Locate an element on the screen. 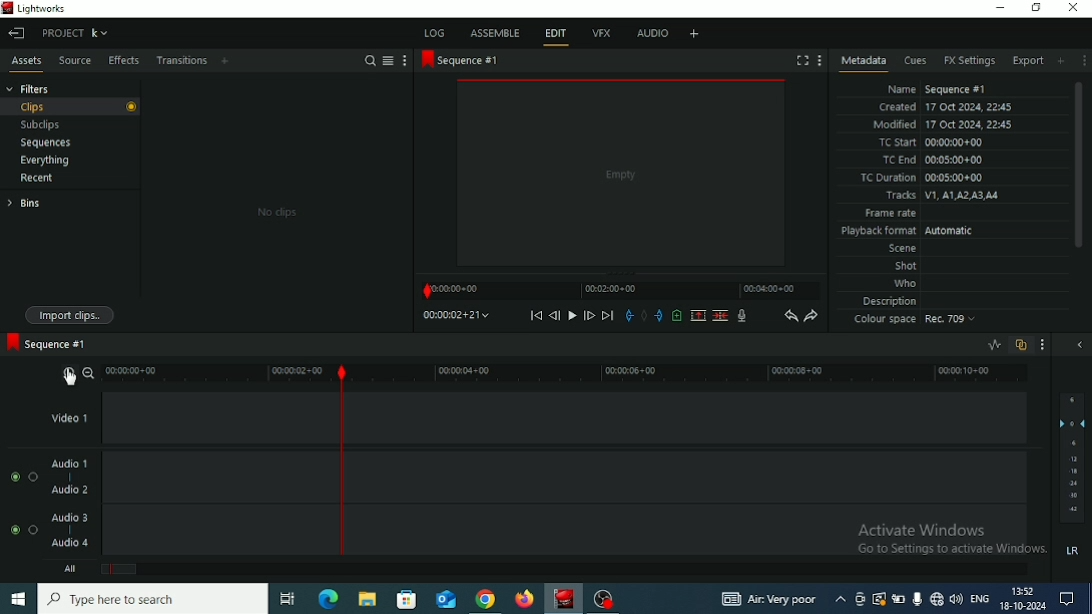  Toggle auto track sync is located at coordinates (1021, 345).